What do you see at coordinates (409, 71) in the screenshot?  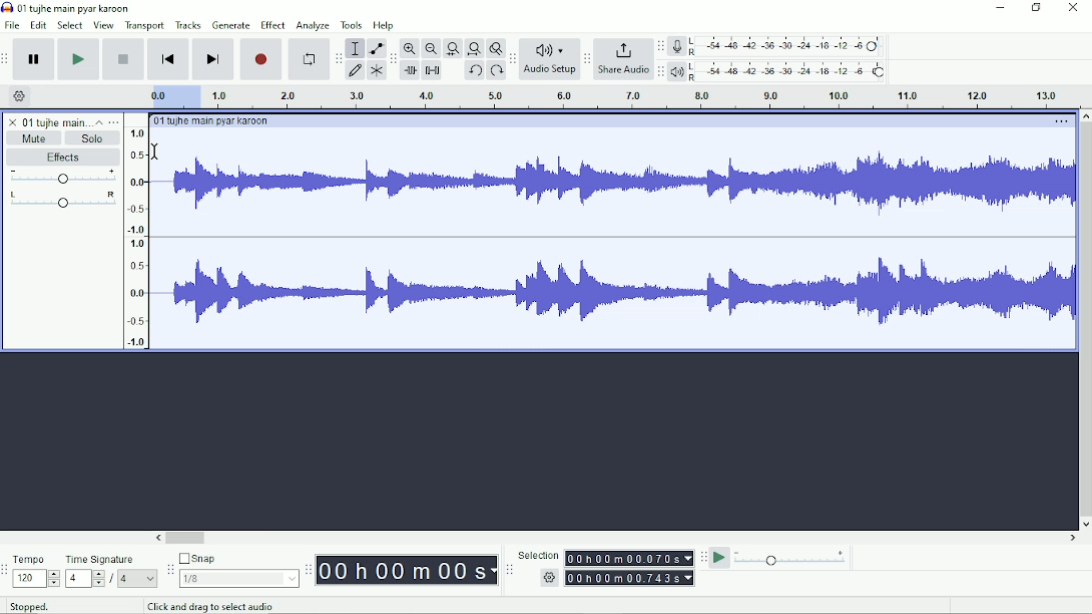 I see `Trim audio outside selection` at bounding box center [409, 71].